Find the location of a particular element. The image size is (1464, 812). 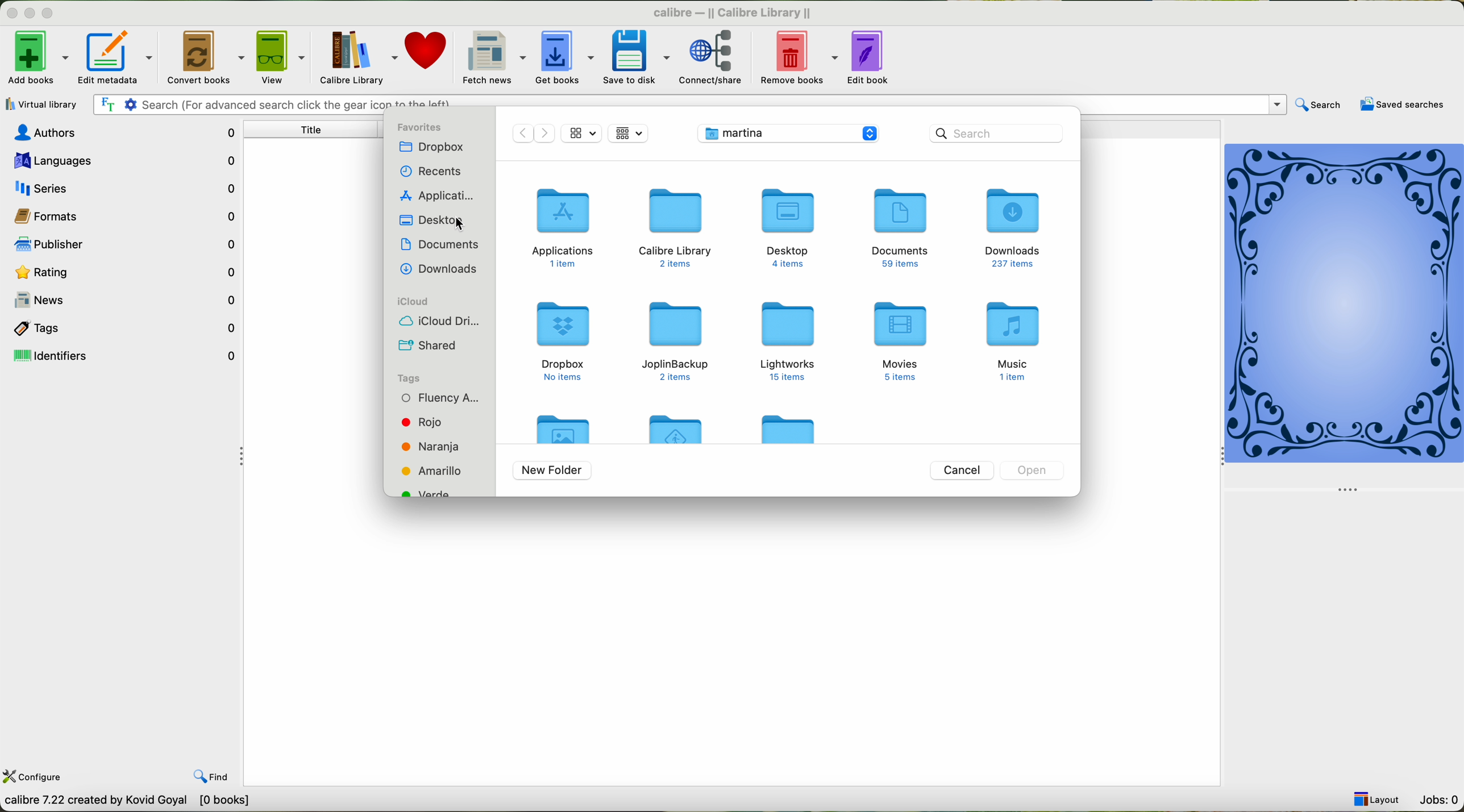

joplin backup is located at coordinates (675, 342).